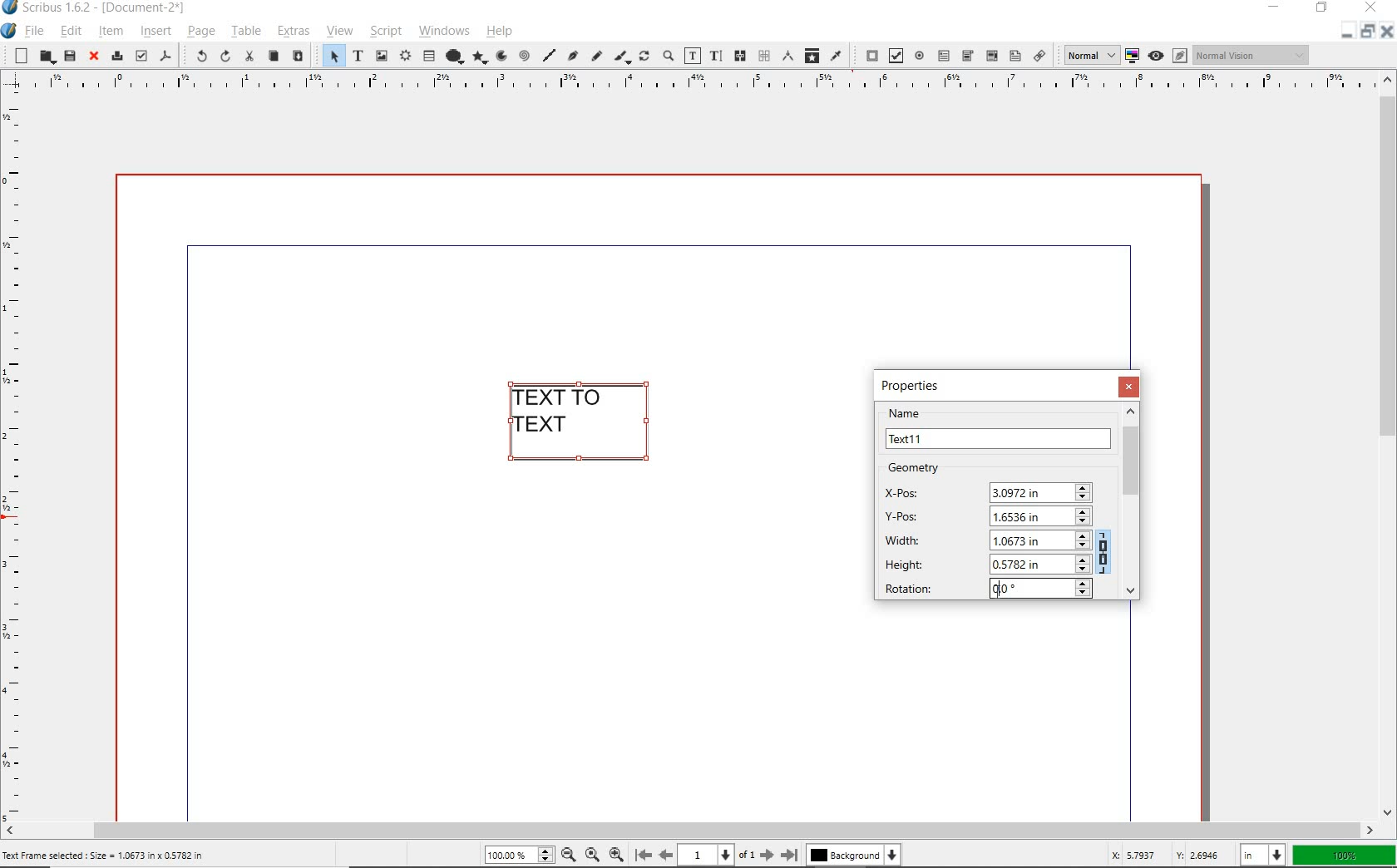 This screenshot has width=1397, height=868. What do you see at coordinates (620, 852) in the screenshot?
I see `zoom in` at bounding box center [620, 852].